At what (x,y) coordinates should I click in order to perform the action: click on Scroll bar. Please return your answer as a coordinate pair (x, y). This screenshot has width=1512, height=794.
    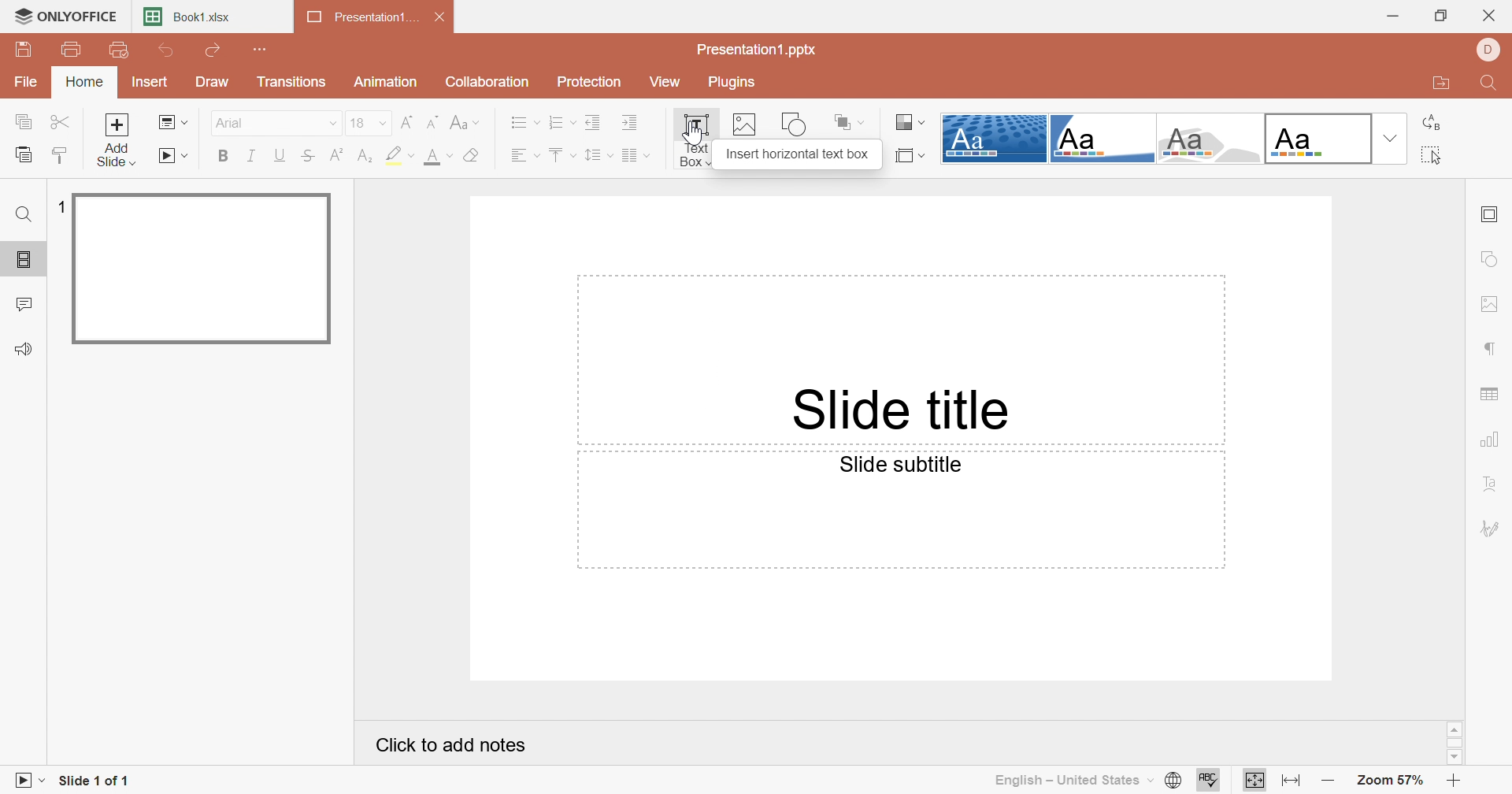
    Looking at the image, I should click on (1456, 744).